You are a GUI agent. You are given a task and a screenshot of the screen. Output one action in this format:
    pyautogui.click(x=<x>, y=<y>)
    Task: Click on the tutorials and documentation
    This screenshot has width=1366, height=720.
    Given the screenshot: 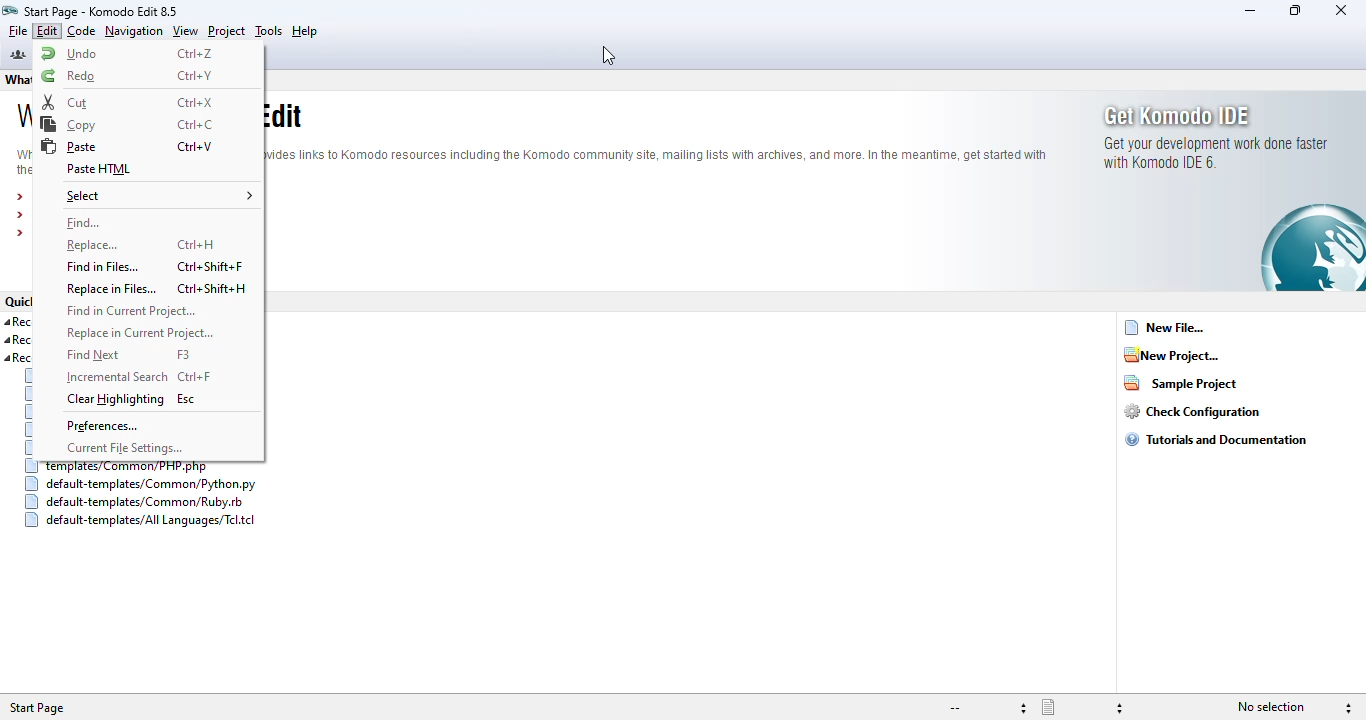 What is the action you would take?
    pyautogui.click(x=1218, y=439)
    